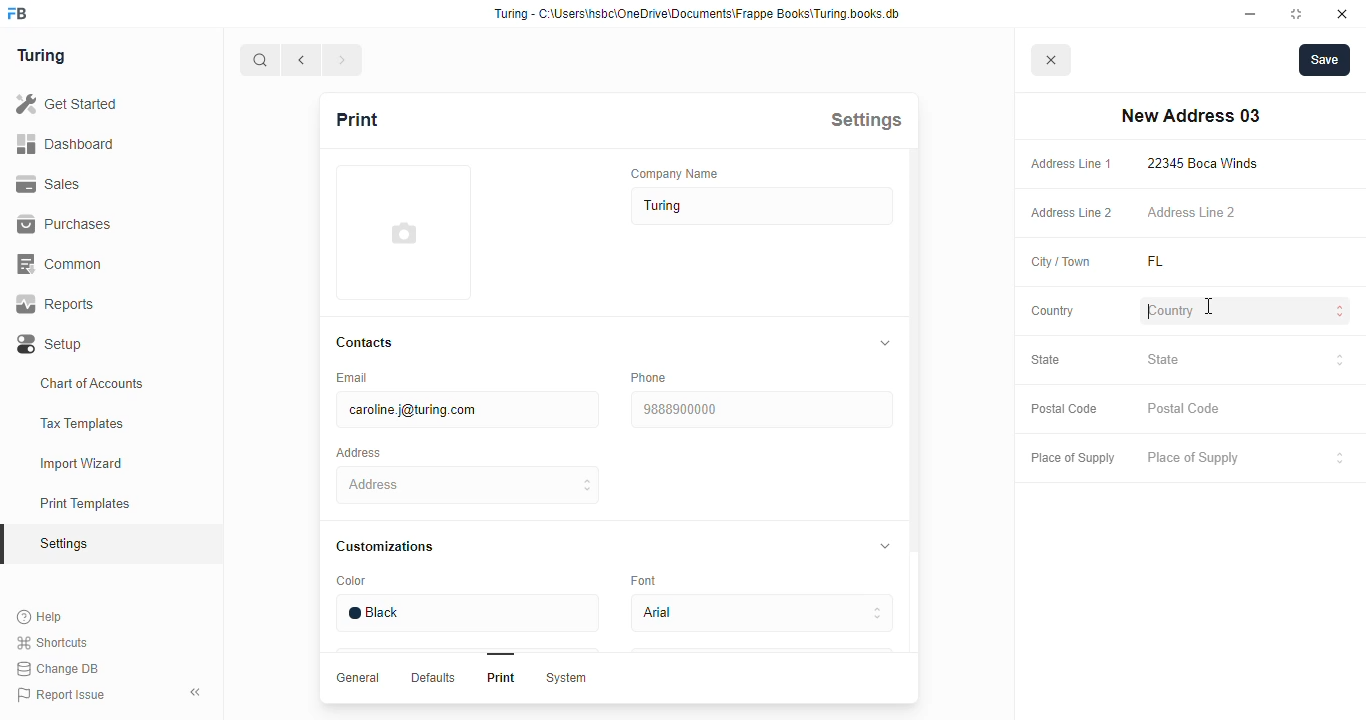 Image resolution: width=1366 pixels, height=720 pixels. What do you see at coordinates (1251, 14) in the screenshot?
I see `minimize` at bounding box center [1251, 14].